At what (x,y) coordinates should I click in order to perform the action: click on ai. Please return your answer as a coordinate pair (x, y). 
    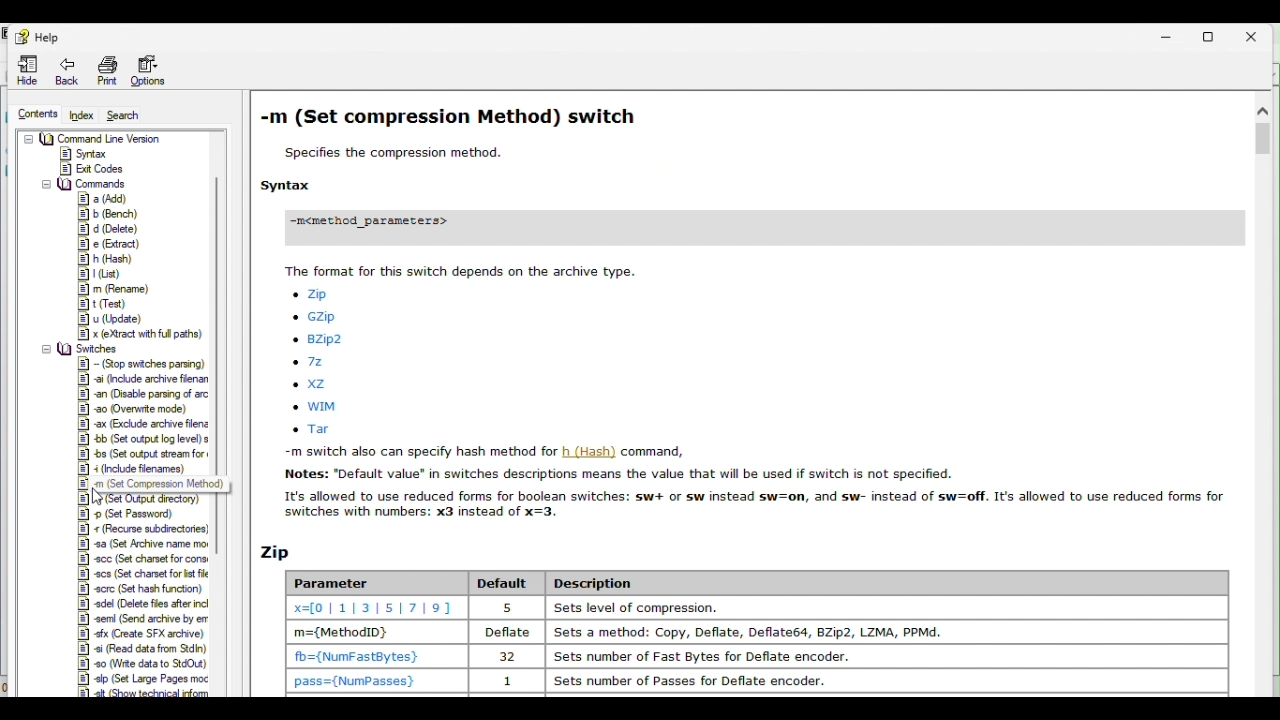
    Looking at the image, I should click on (138, 380).